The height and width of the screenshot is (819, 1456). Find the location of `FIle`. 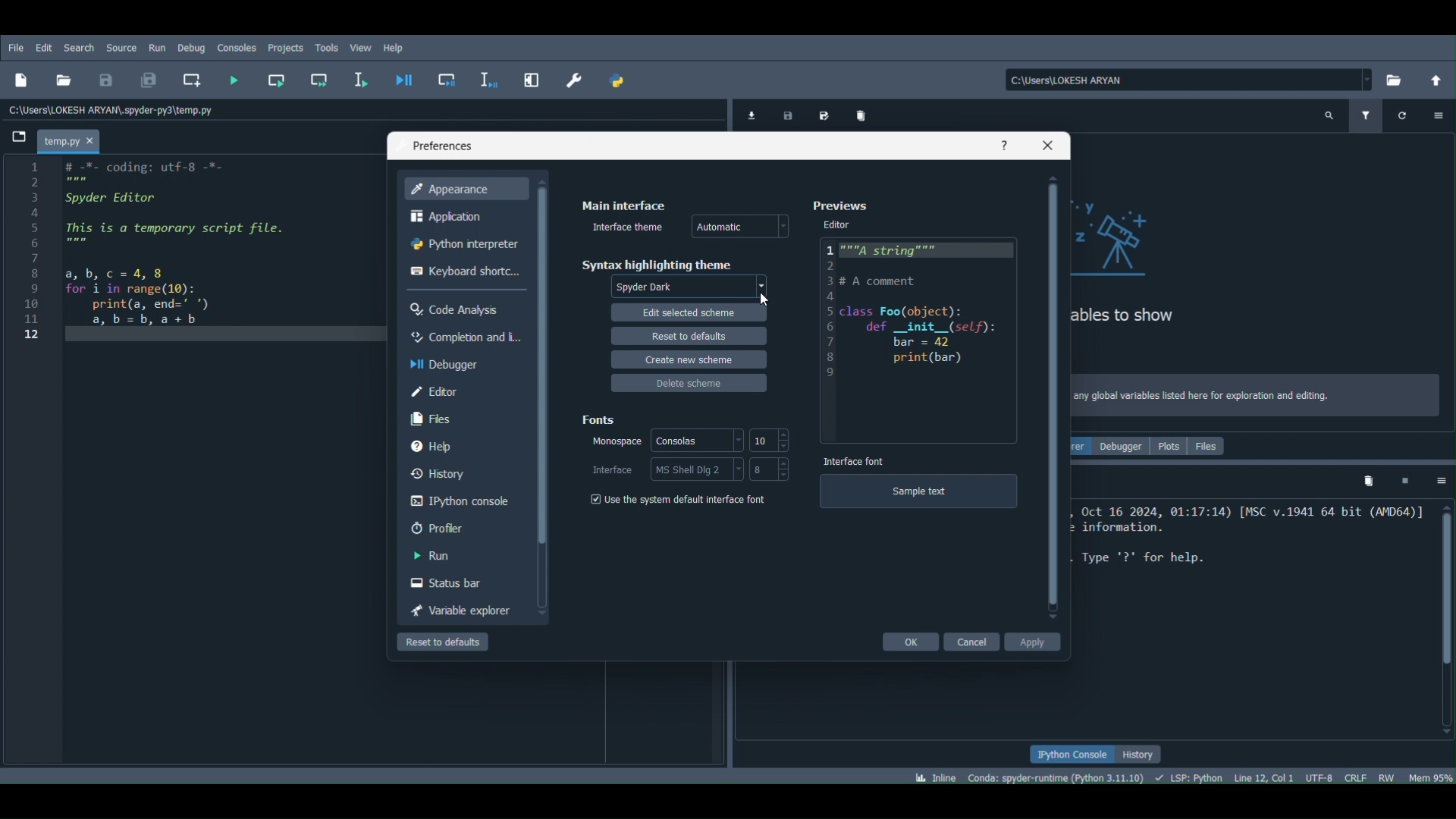

FIle is located at coordinates (14, 43).